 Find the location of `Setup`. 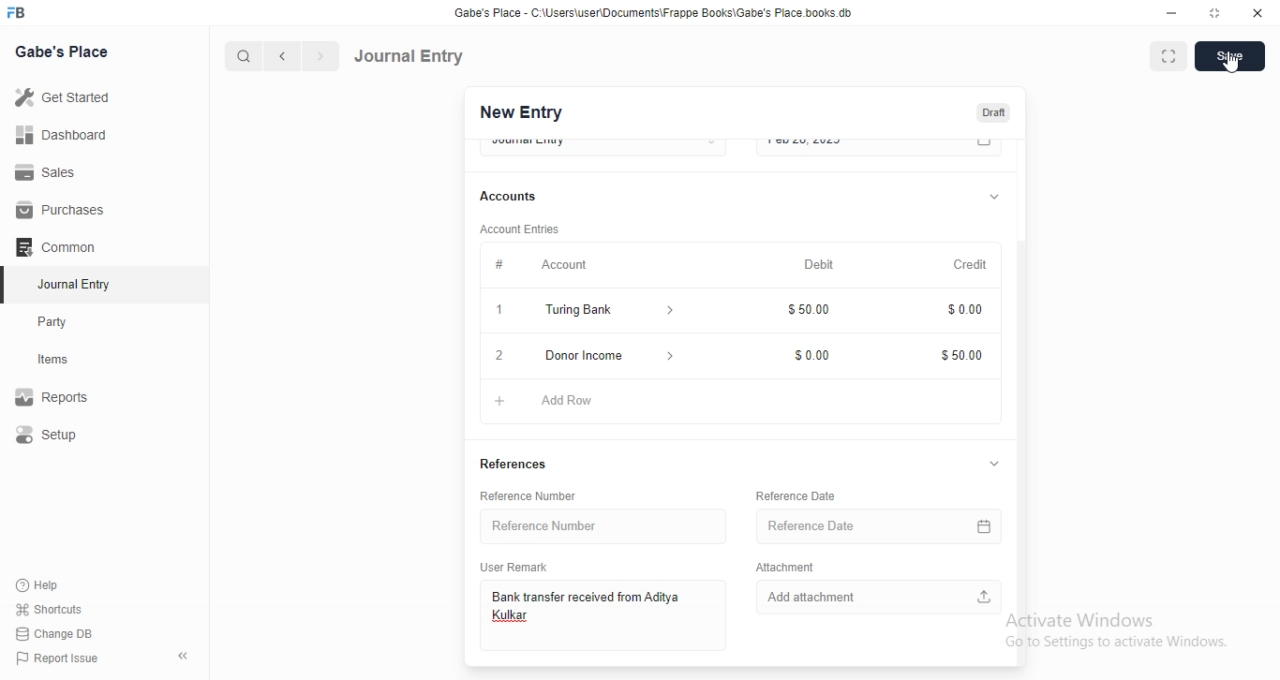

Setup is located at coordinates (66, 436).